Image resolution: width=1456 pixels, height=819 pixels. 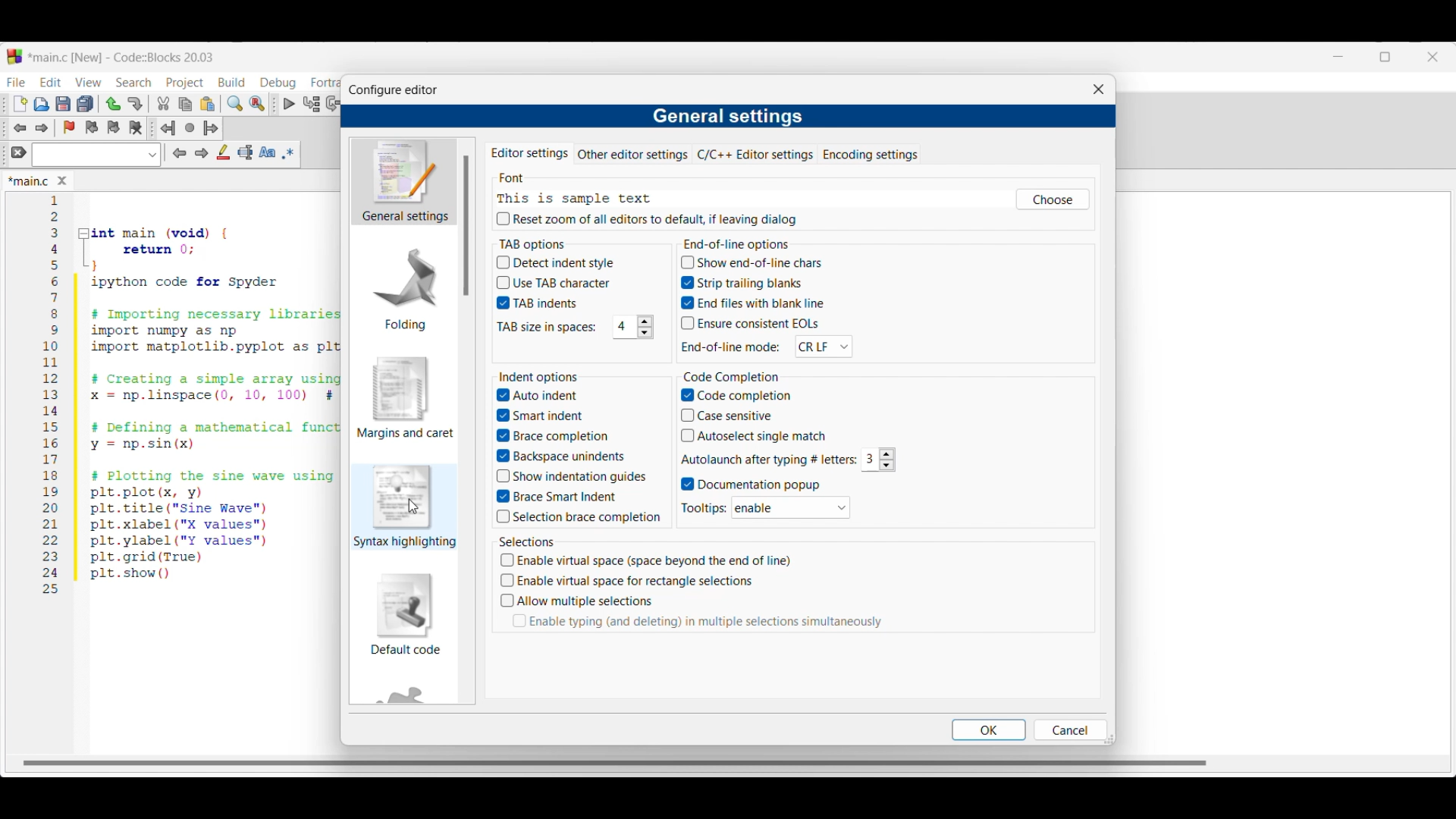 I want to click on Other tabs, so click(x=748, y=154).